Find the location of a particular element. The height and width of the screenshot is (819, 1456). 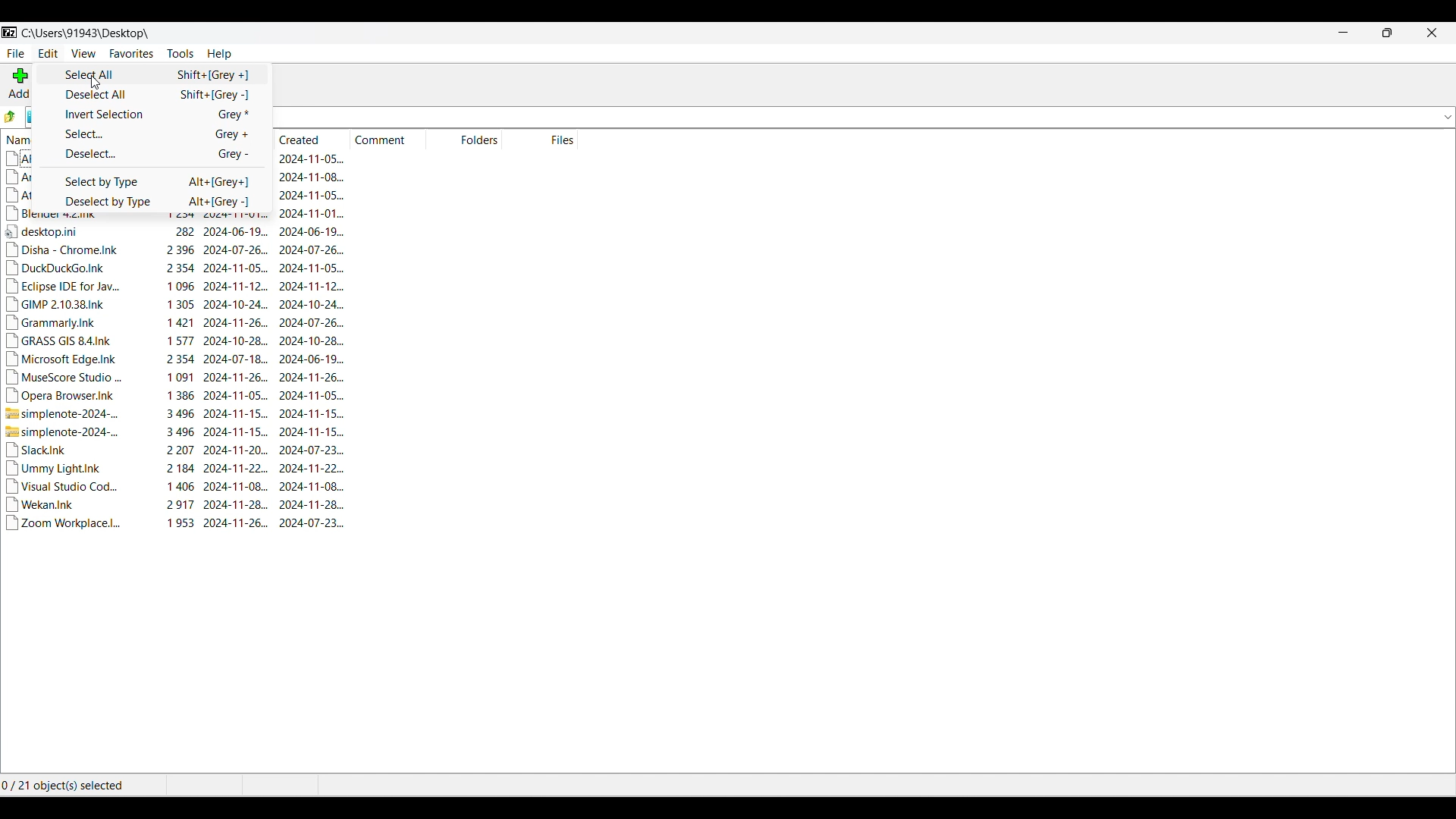

Folders column is located at coordinates (463, 138).